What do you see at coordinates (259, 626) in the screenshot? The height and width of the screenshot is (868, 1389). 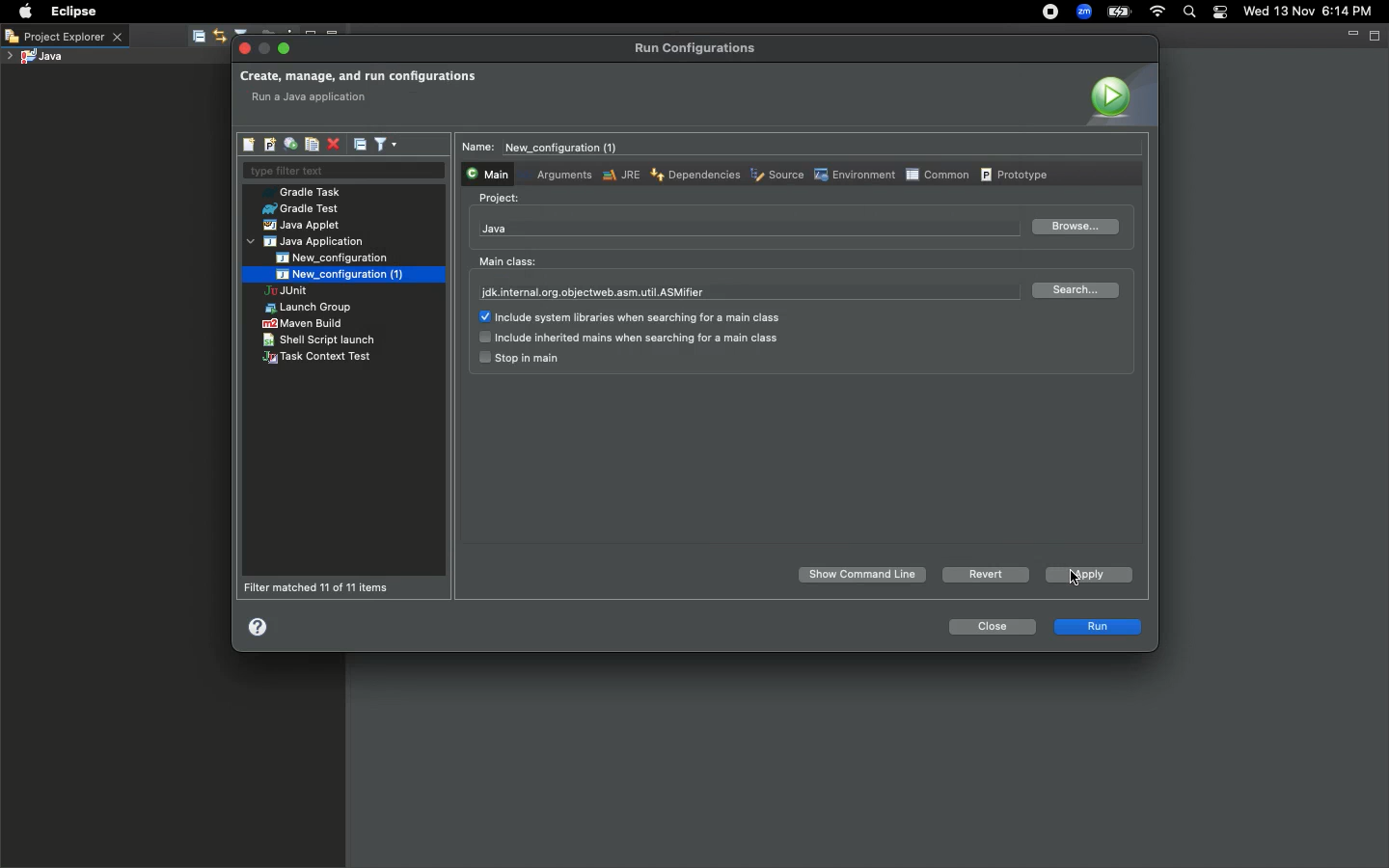 I see `Help` at bounding box center [259, 626].